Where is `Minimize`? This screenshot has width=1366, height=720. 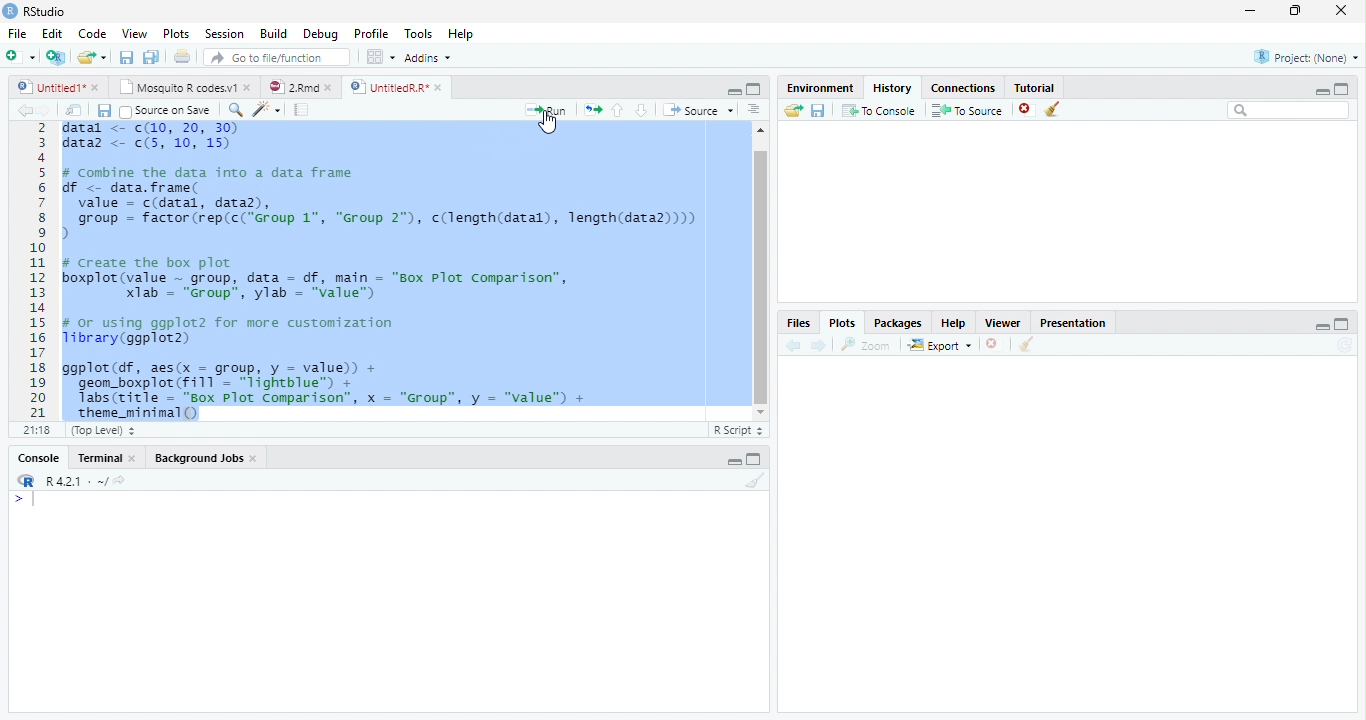 Minimize is located at coordinates (733, 462).